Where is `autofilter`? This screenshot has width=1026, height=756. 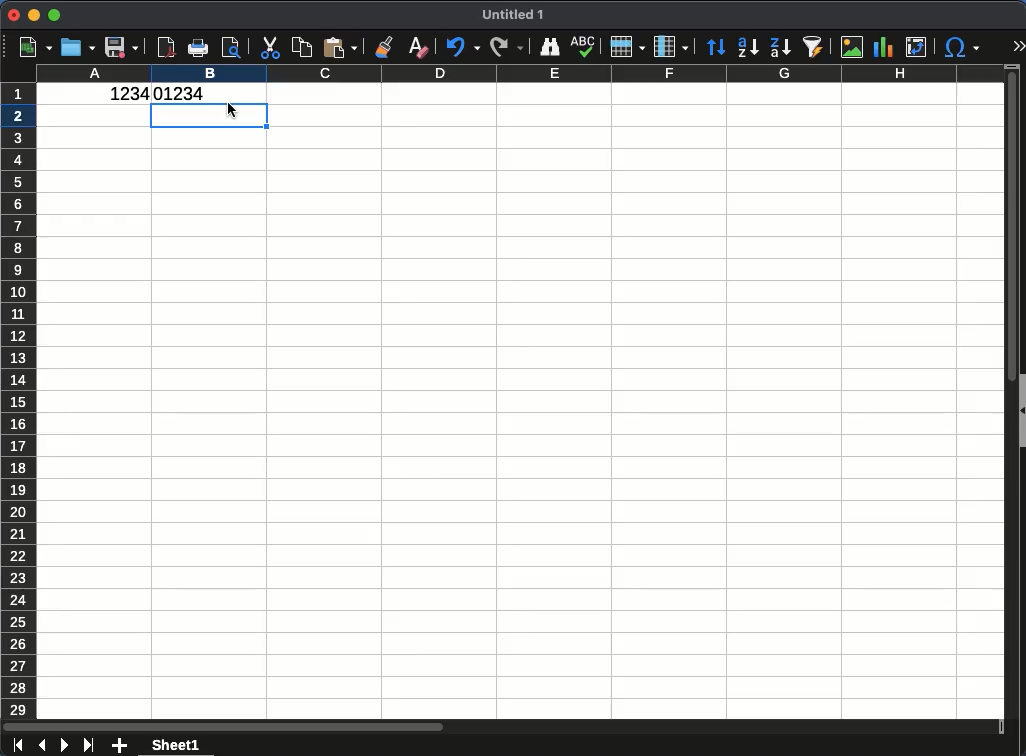 autofilter is located at coordinates (814, 45).